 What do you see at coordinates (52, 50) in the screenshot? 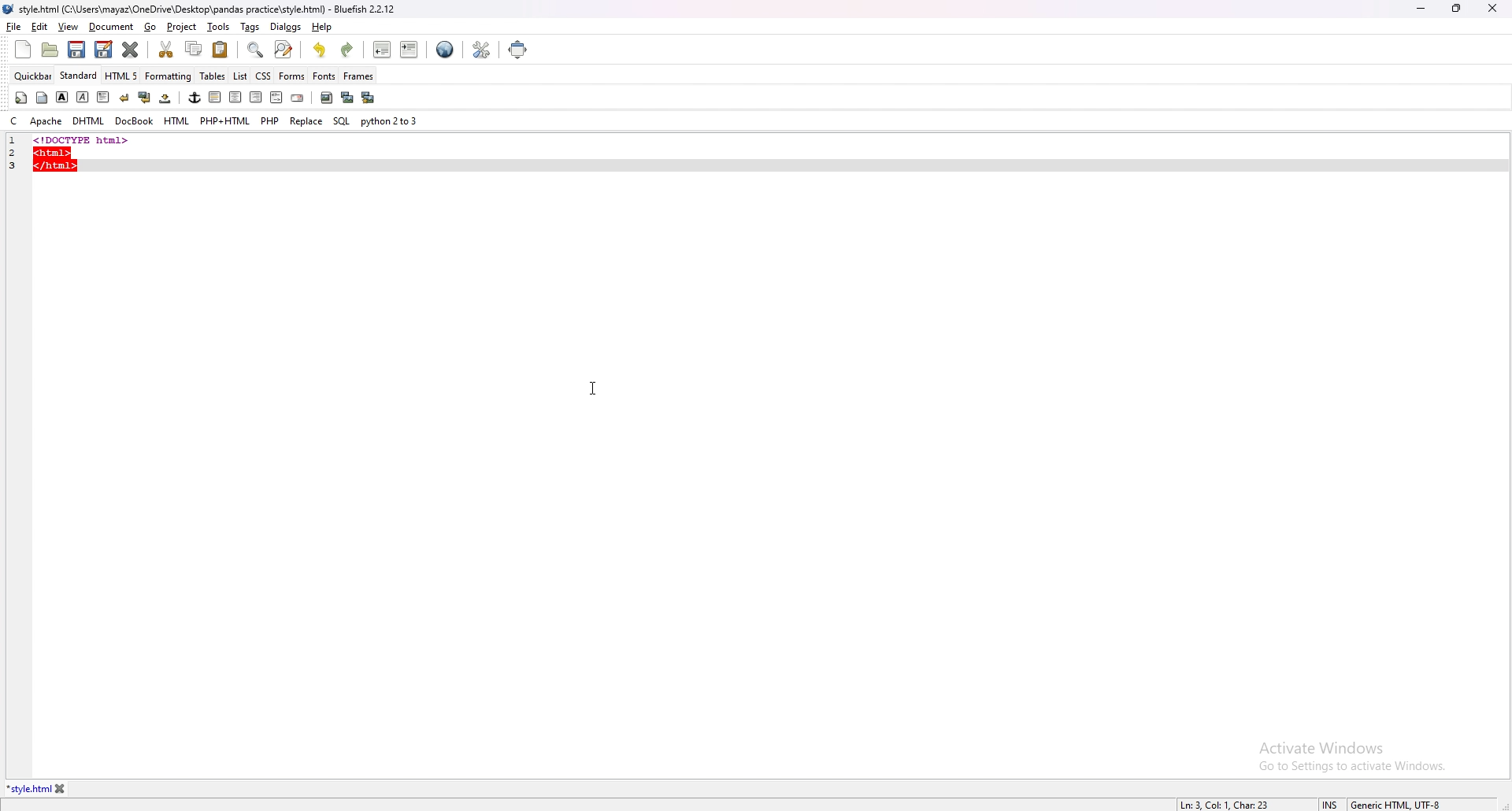
I see `open` at bounding box center [52, 50].